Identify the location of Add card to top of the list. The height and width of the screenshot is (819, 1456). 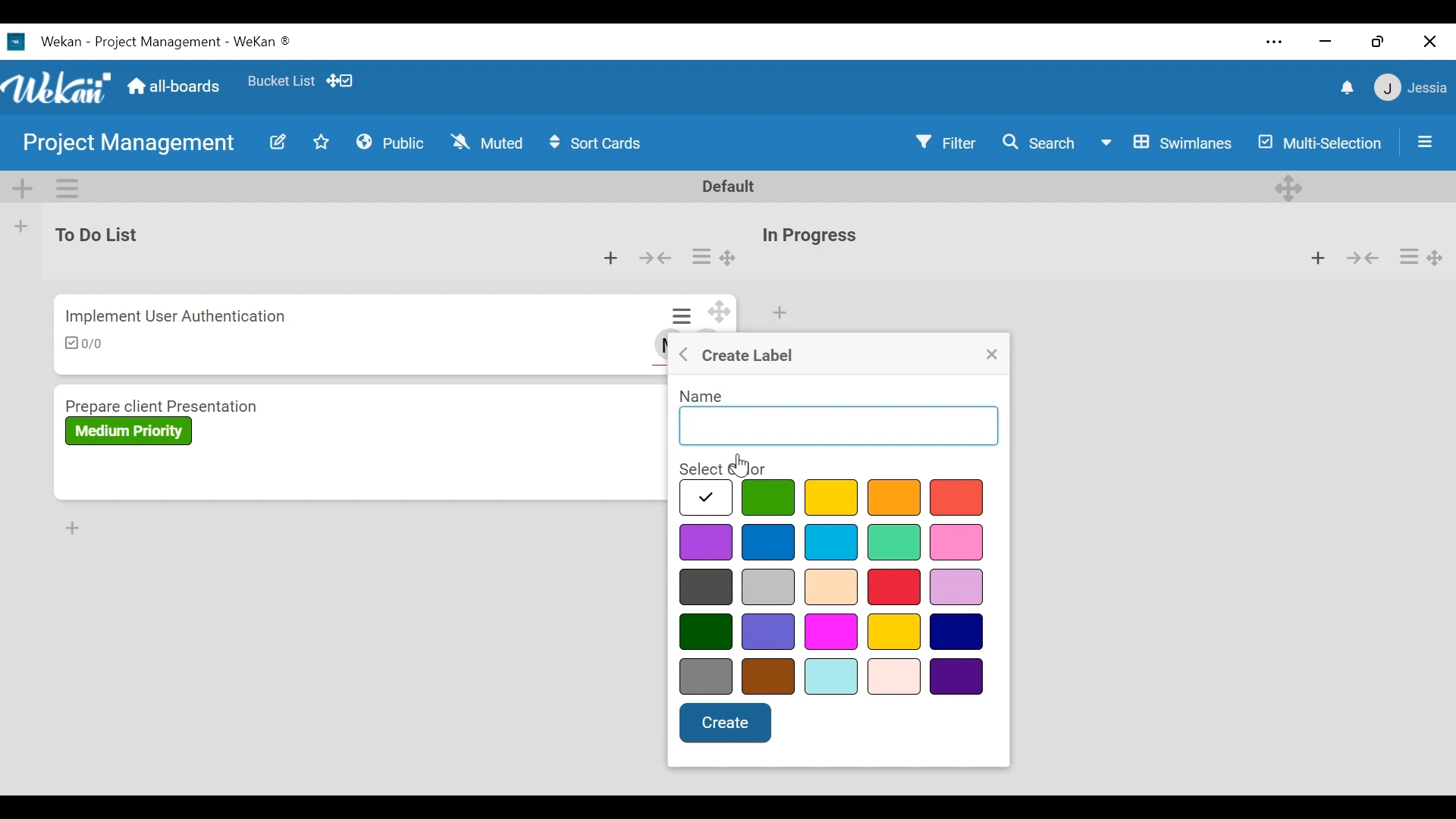
(1318, 257).